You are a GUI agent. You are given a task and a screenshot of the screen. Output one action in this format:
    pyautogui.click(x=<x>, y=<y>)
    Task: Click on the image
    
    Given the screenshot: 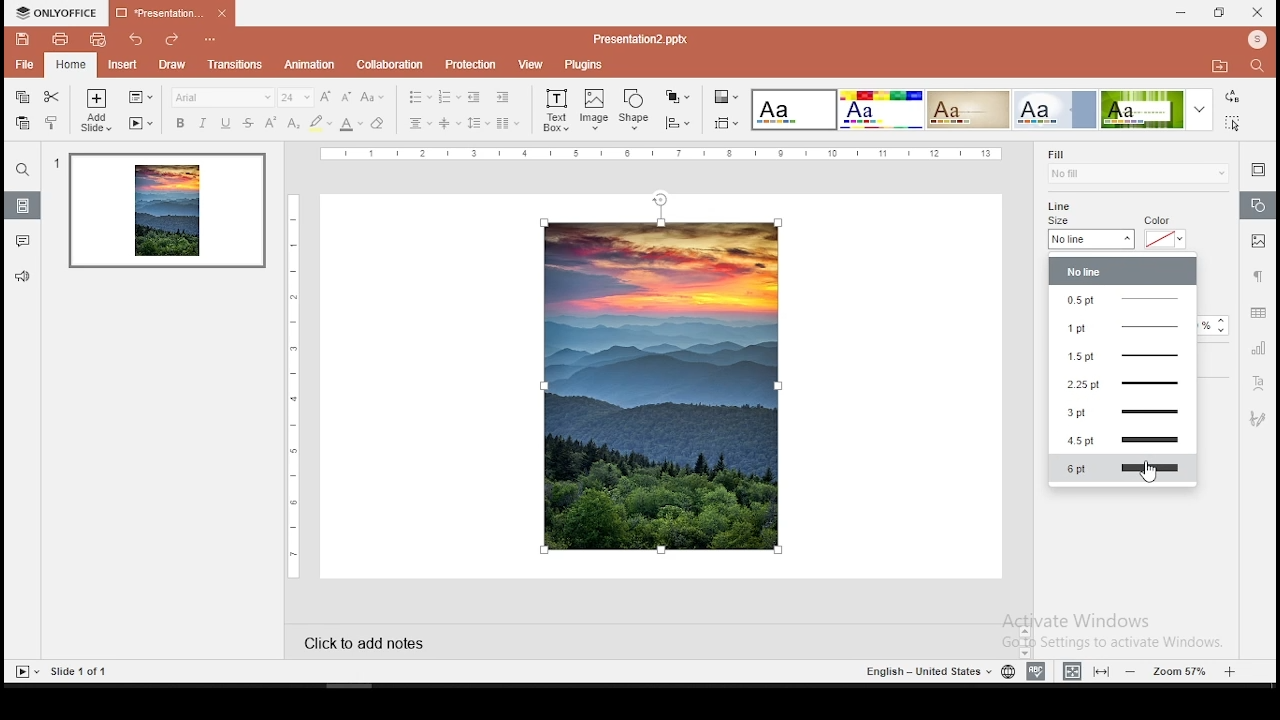 What is the action you would take?
    pyautogui.click(x=594, y=109)
    